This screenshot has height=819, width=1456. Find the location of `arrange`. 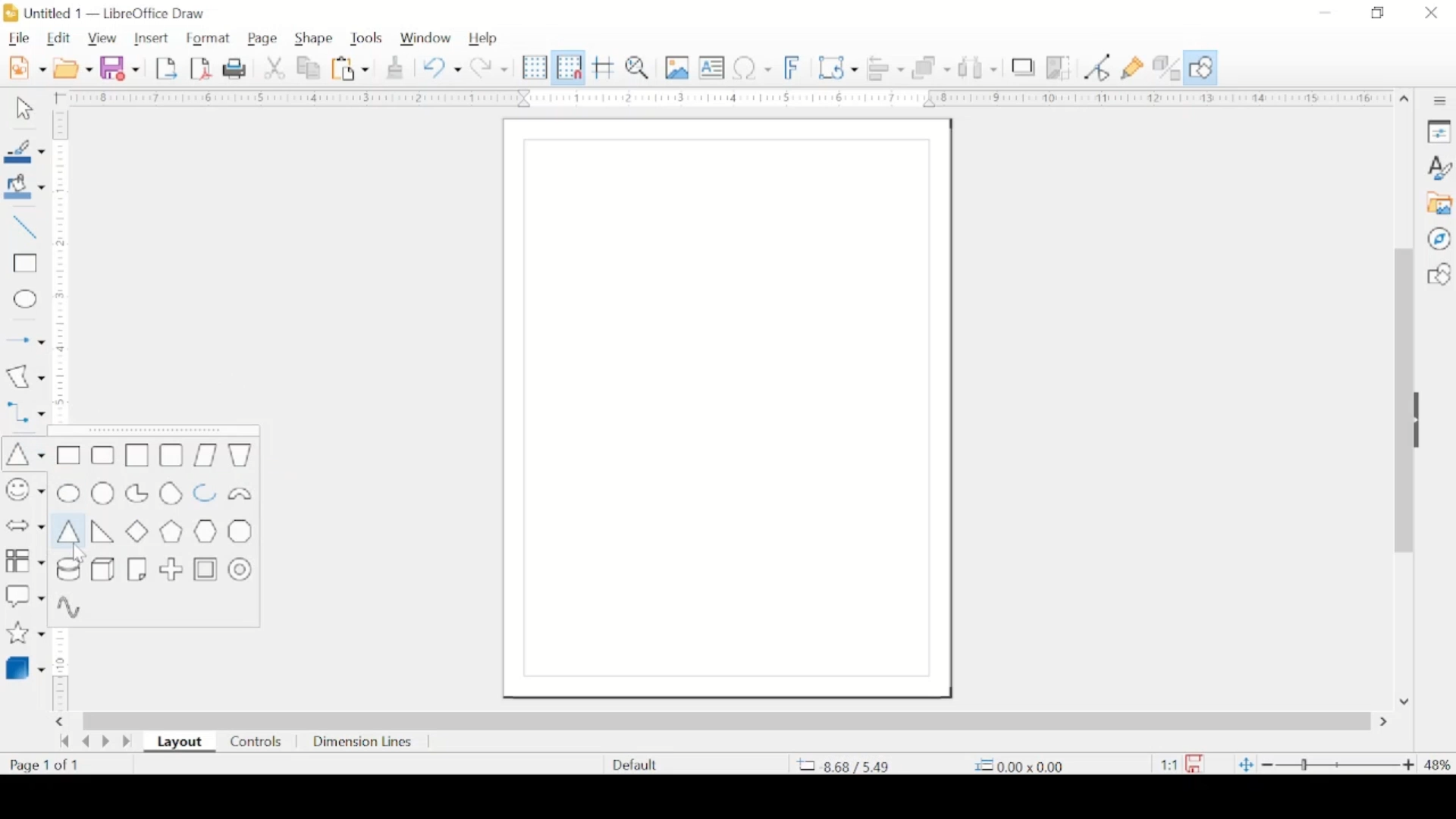

arrange is located at coordinates (933, 67).